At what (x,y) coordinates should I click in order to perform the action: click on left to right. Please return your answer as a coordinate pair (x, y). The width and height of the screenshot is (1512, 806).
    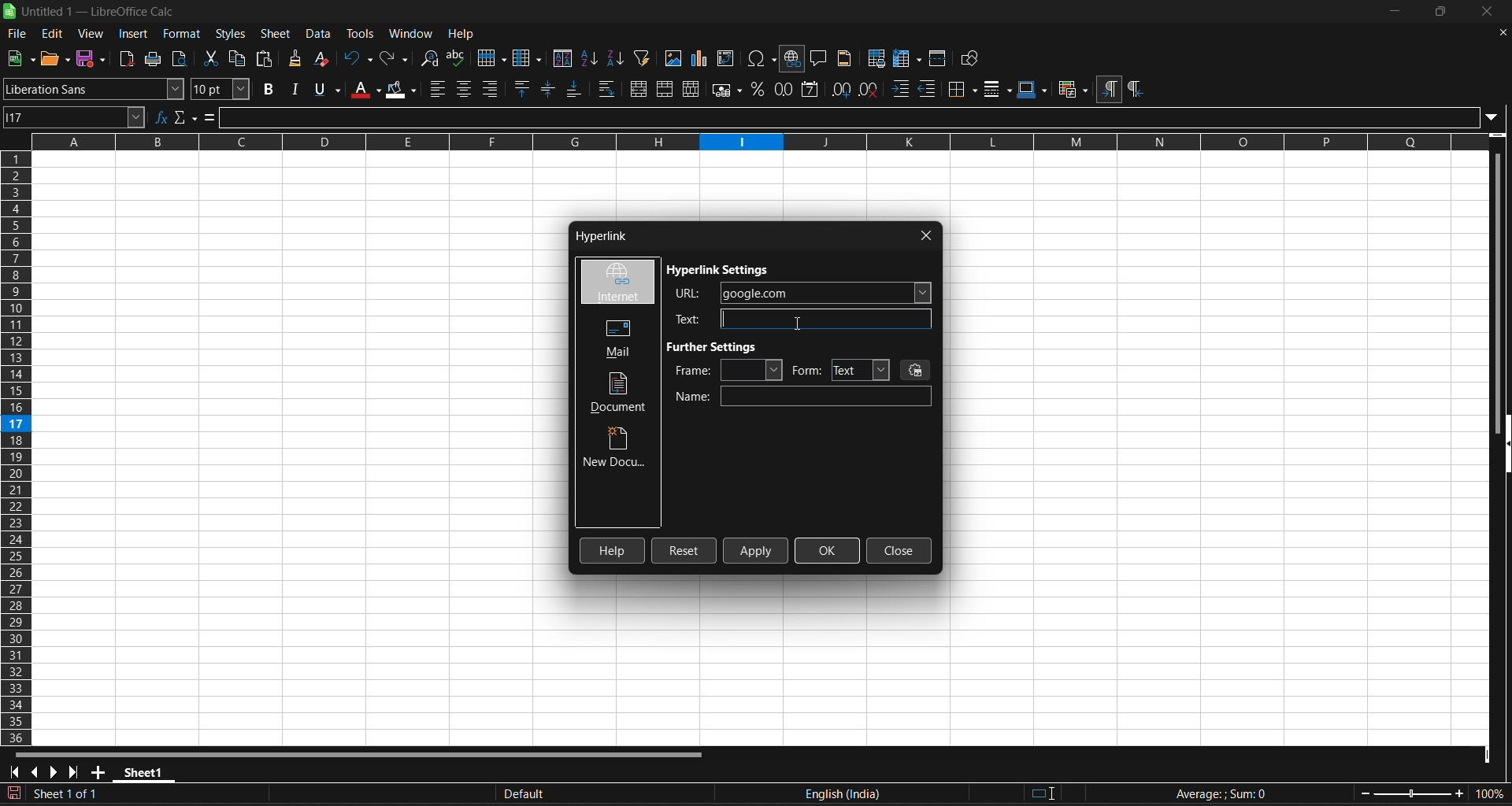
    Looking at the image, I should click on (1109, 88).